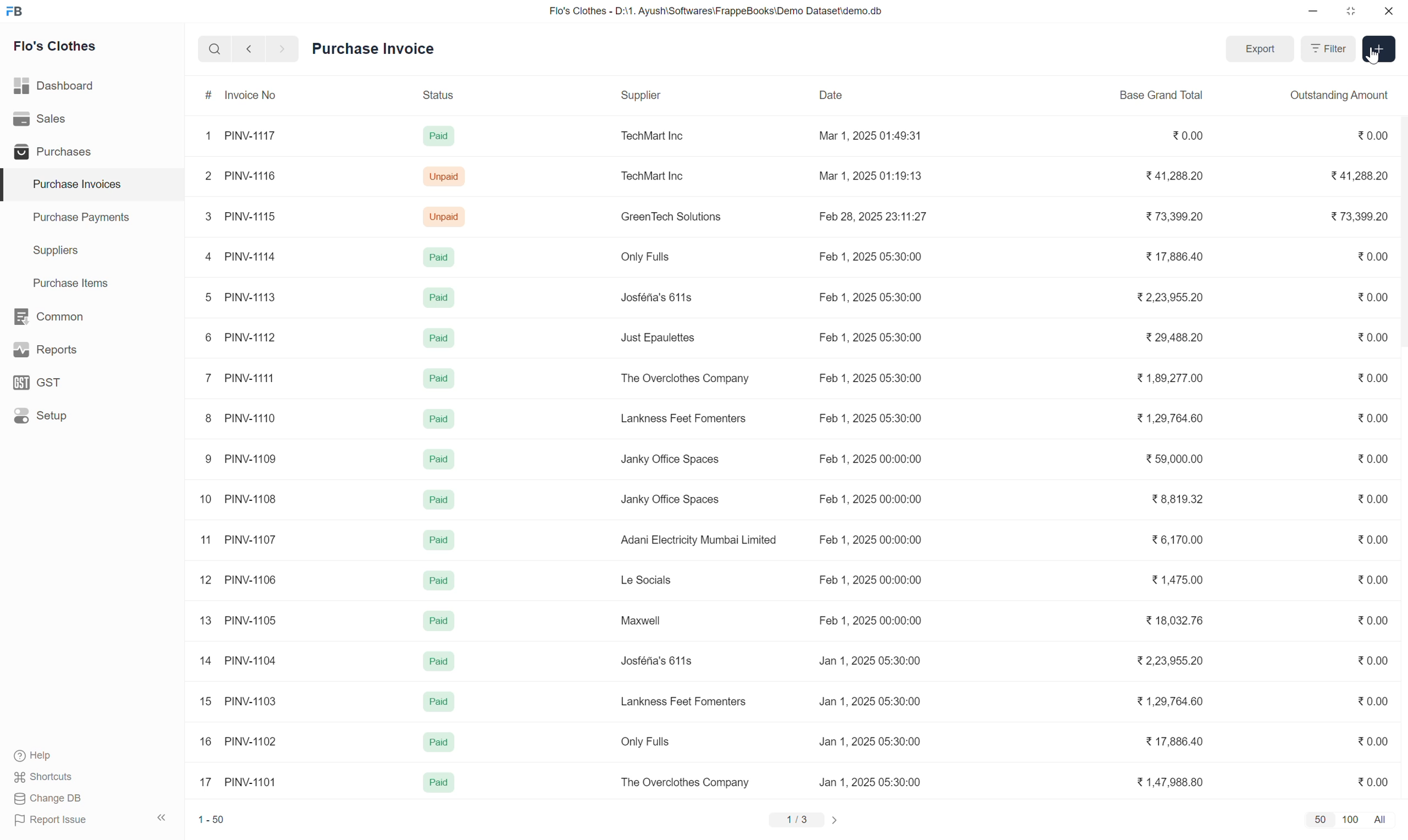 This screenshot has width=1408, height=840. I want to click on 8,819.32, so click(1178, 499).